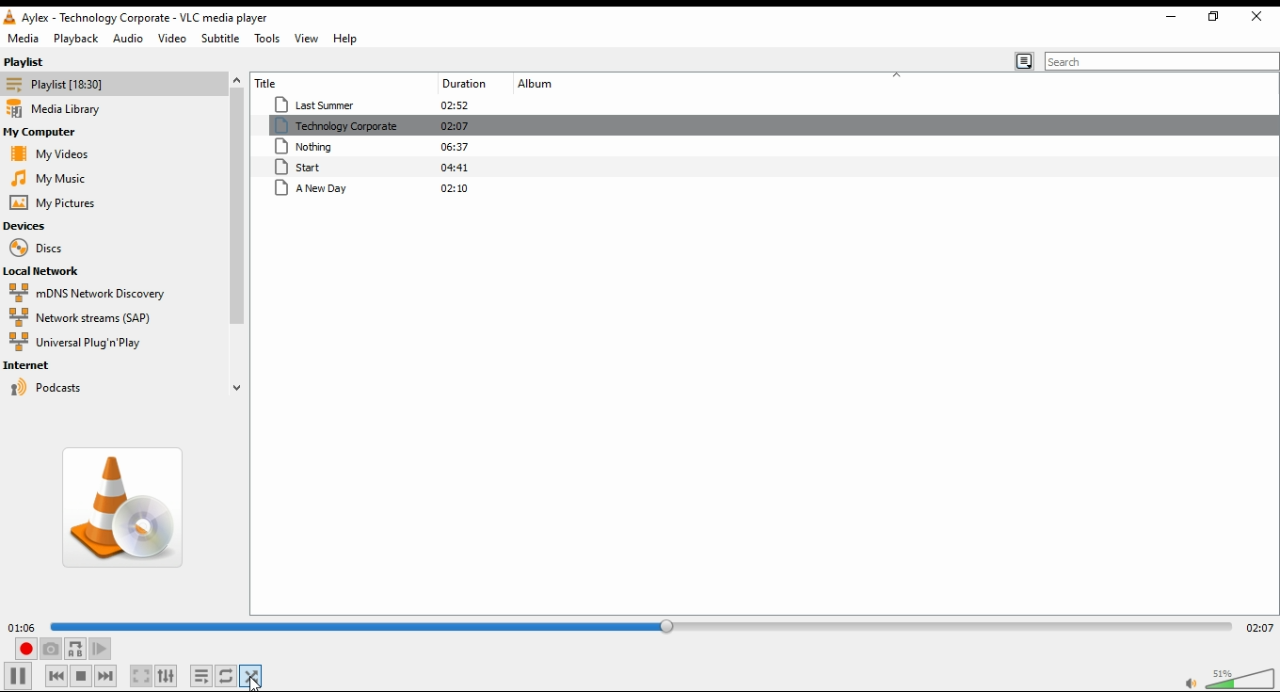  I want to click on frame by frame, so click(103, 649).